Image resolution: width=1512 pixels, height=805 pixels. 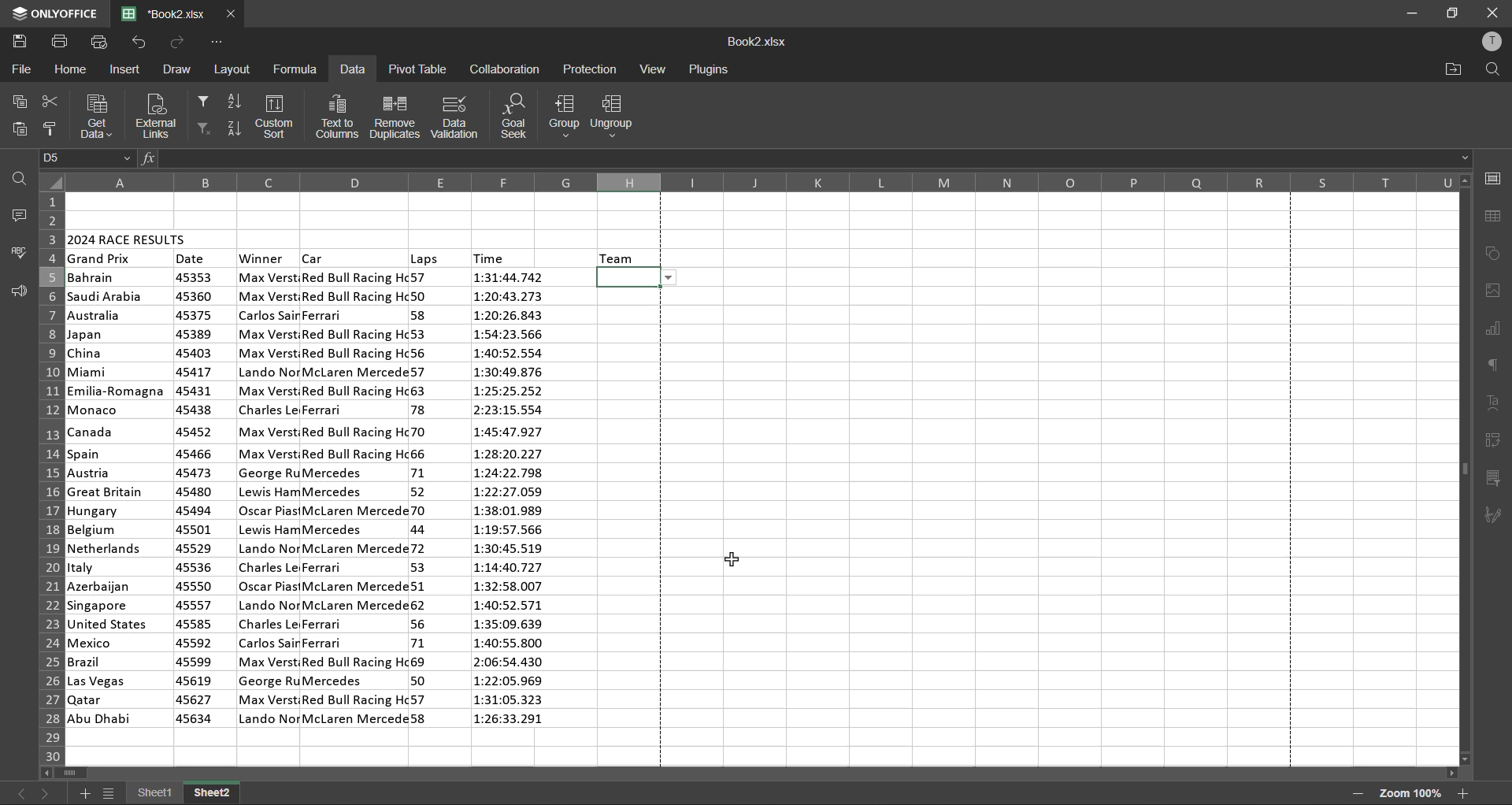 I want to click on copy, so click(x=17, y=103).